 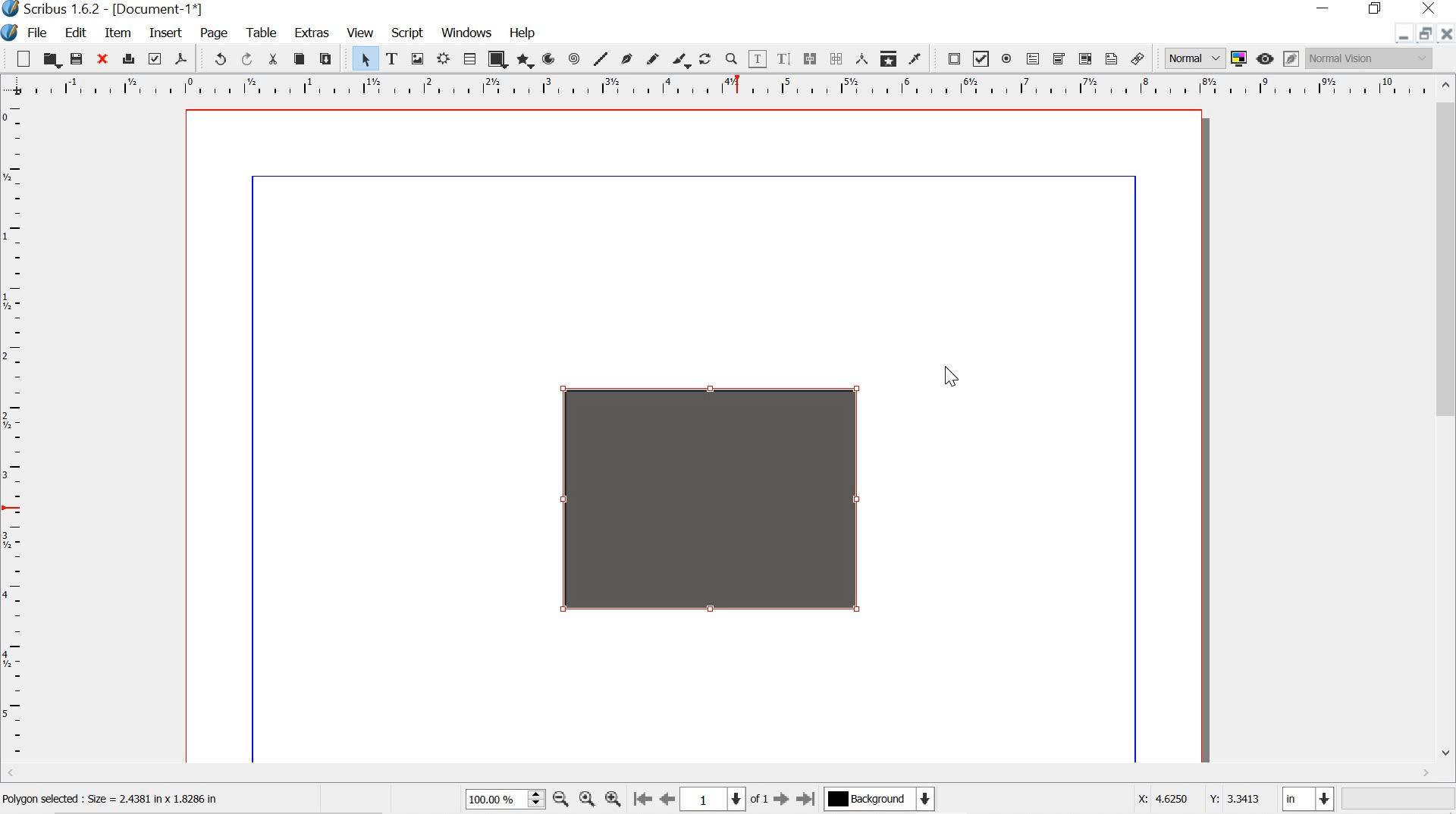 I want to click on edit contents of frame, so click(x=758, y=59).